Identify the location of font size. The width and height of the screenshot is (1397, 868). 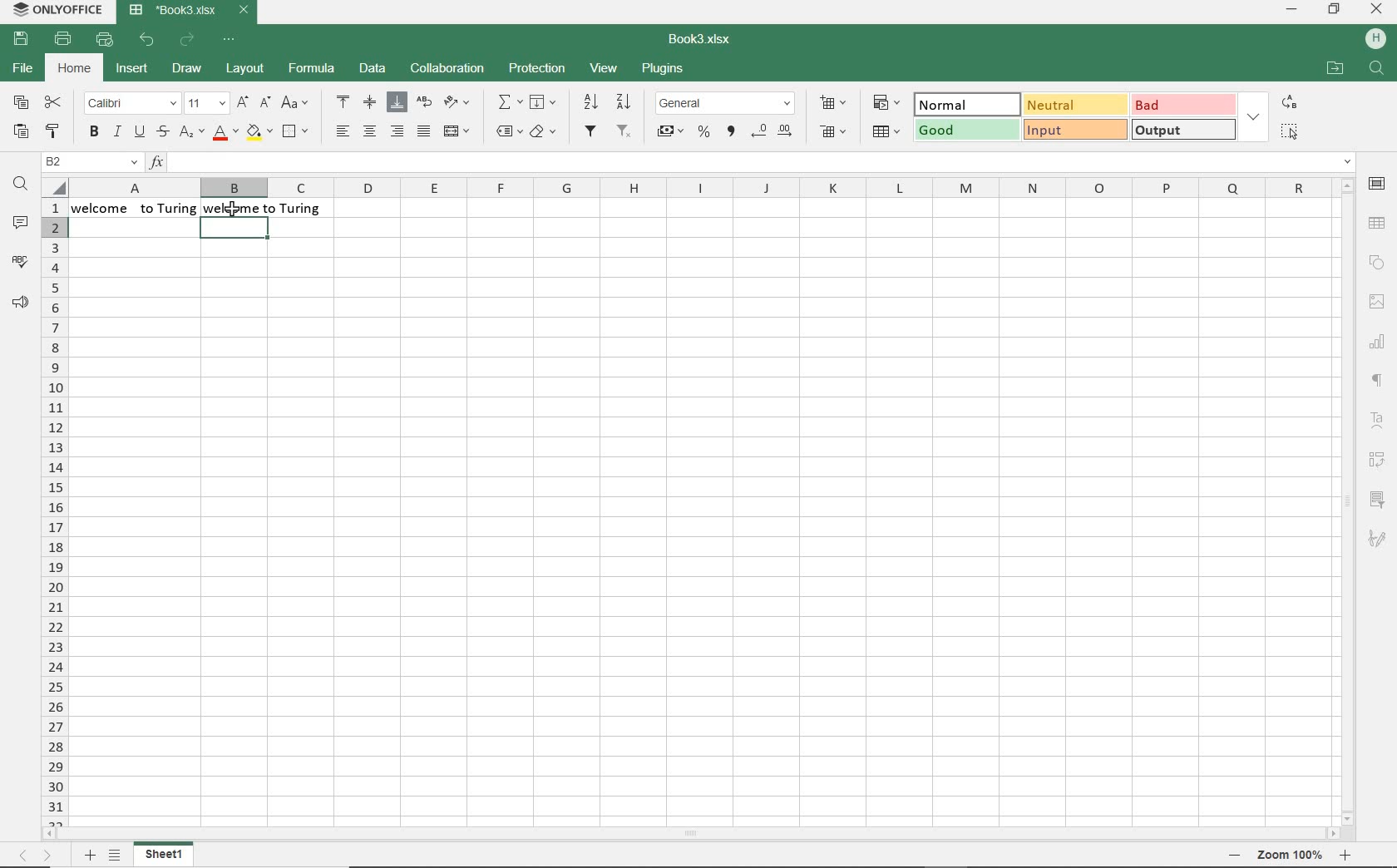
(205, 103).